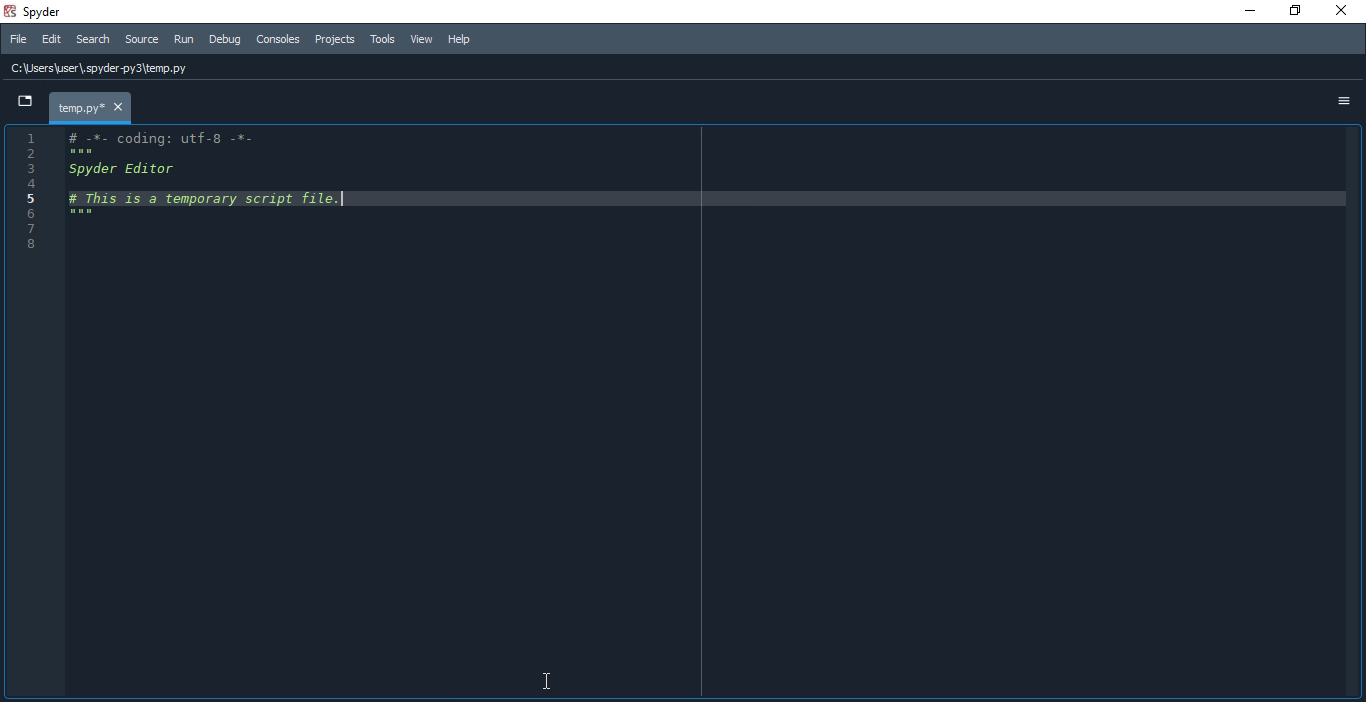  What do you see at coordinates (110, 67) in the screenshot?
I see `file location` at bounding box center [110, 67].